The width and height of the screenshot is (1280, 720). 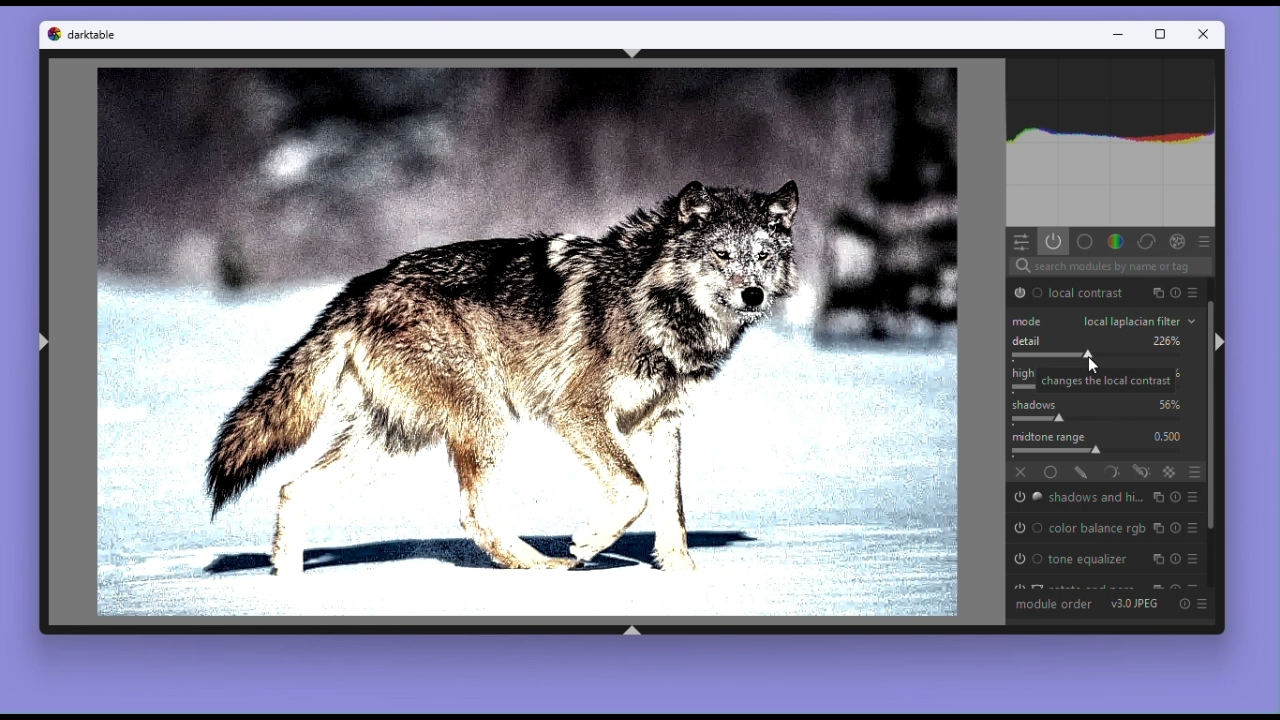 I want to click on darktable logo, so click(x=55, y=35).